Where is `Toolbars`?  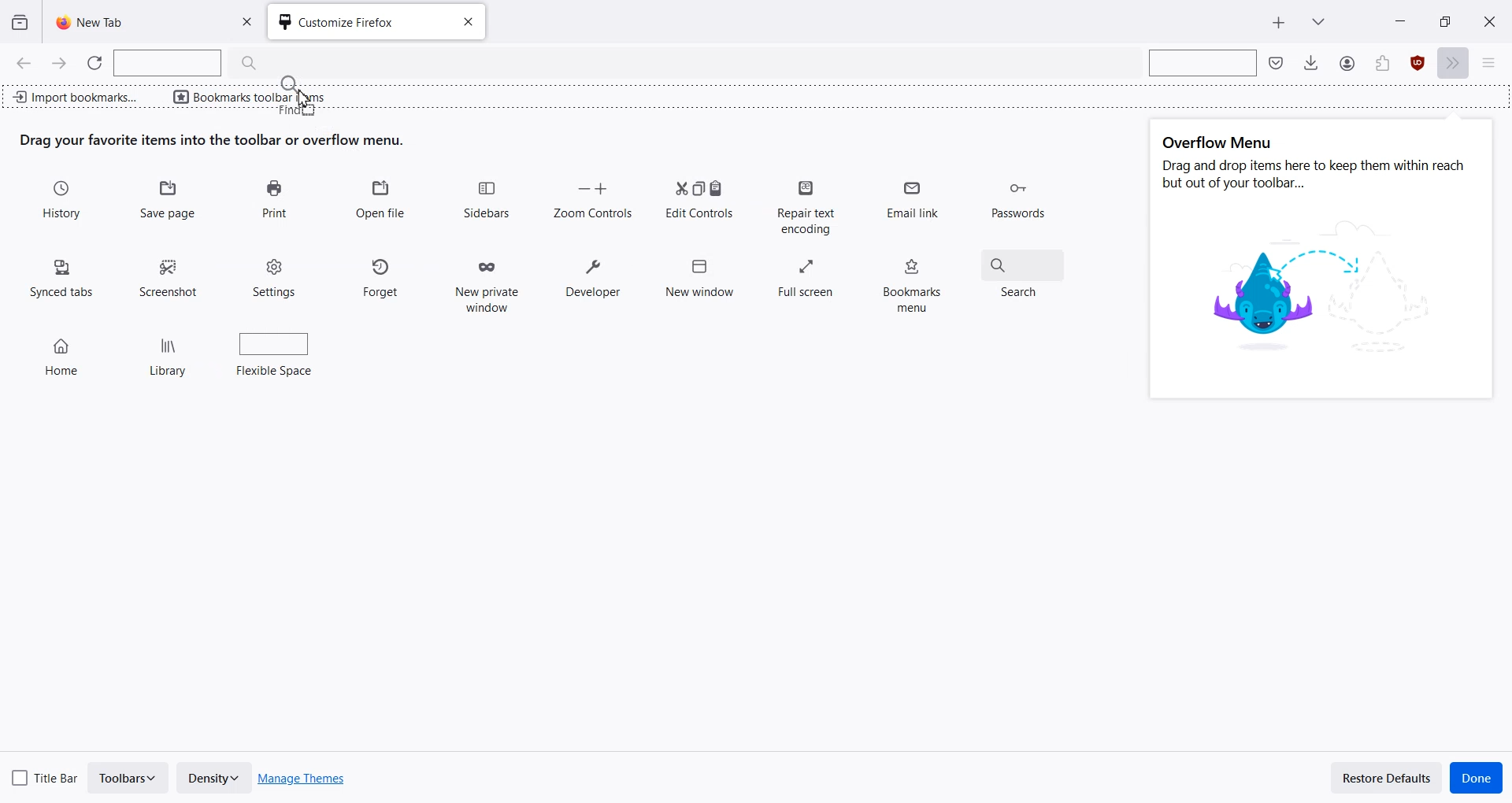
Toolbars is located at coordinates (129, 778).